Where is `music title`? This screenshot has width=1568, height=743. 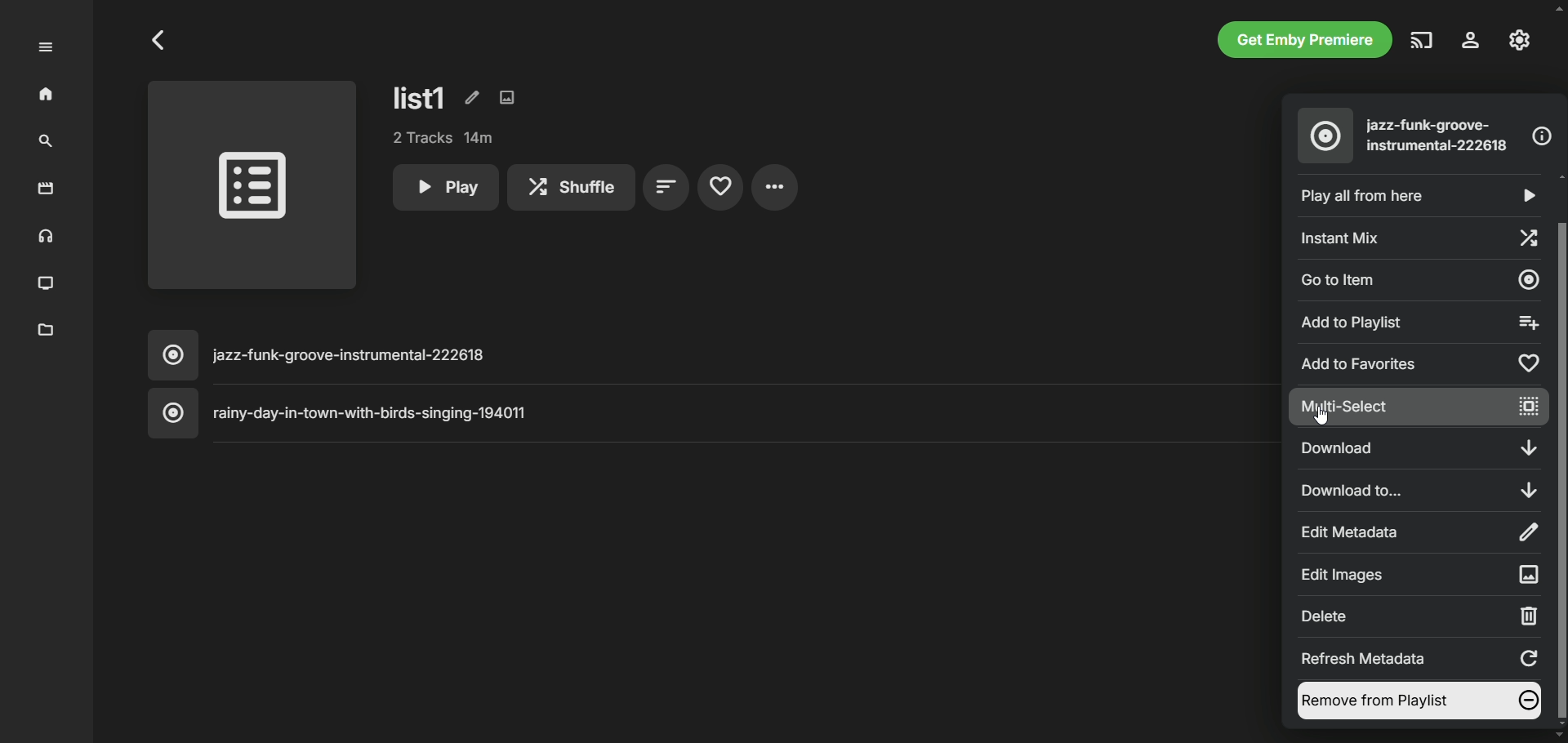 music title is located at coordinates (710, 355).